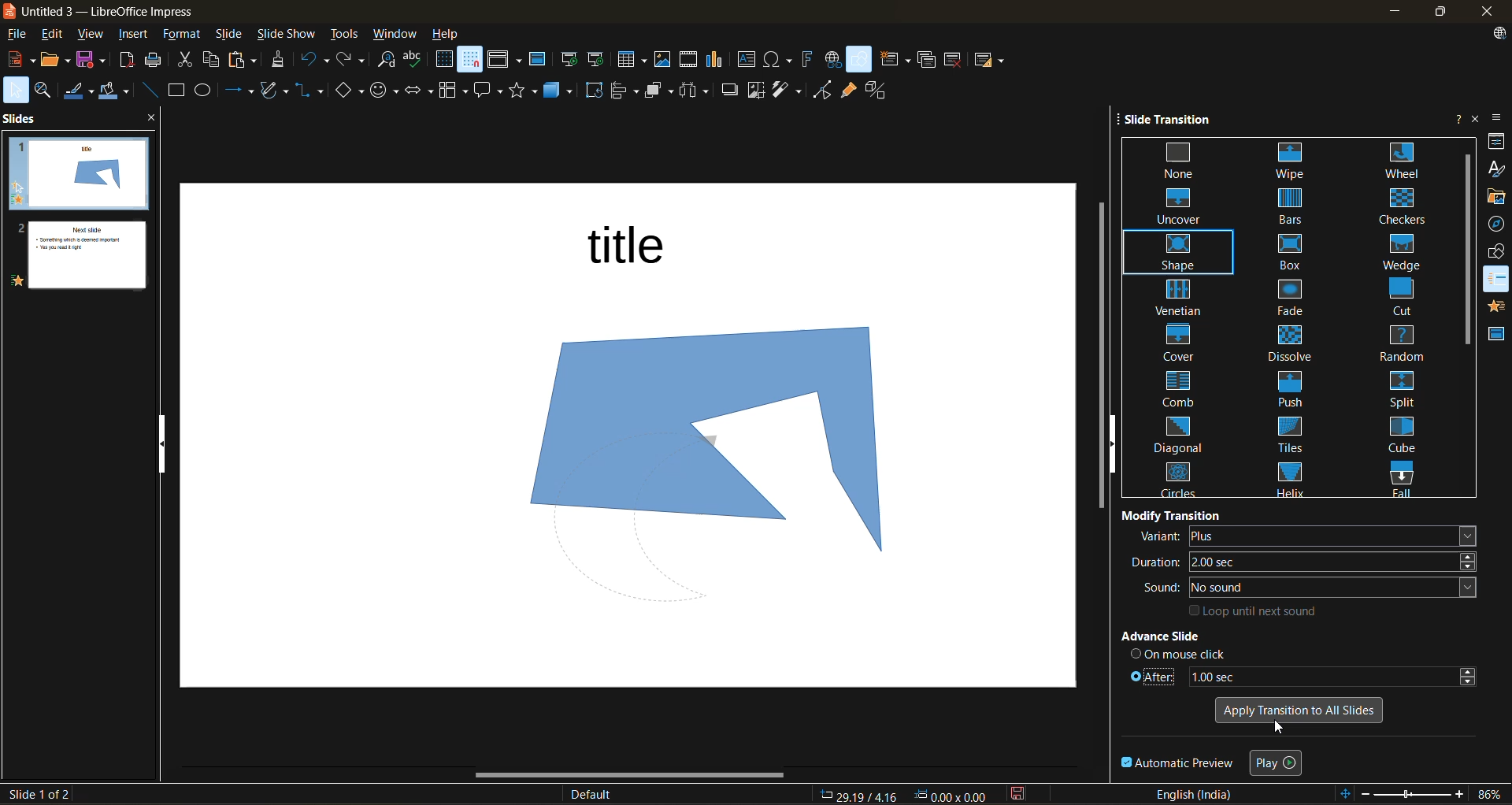 Image resolution: width=1512 pixels, height=805 pixels. What do you see at coordinates (315, 61) in the screenshot?
I see `undo` at bounding box center [315, 61].